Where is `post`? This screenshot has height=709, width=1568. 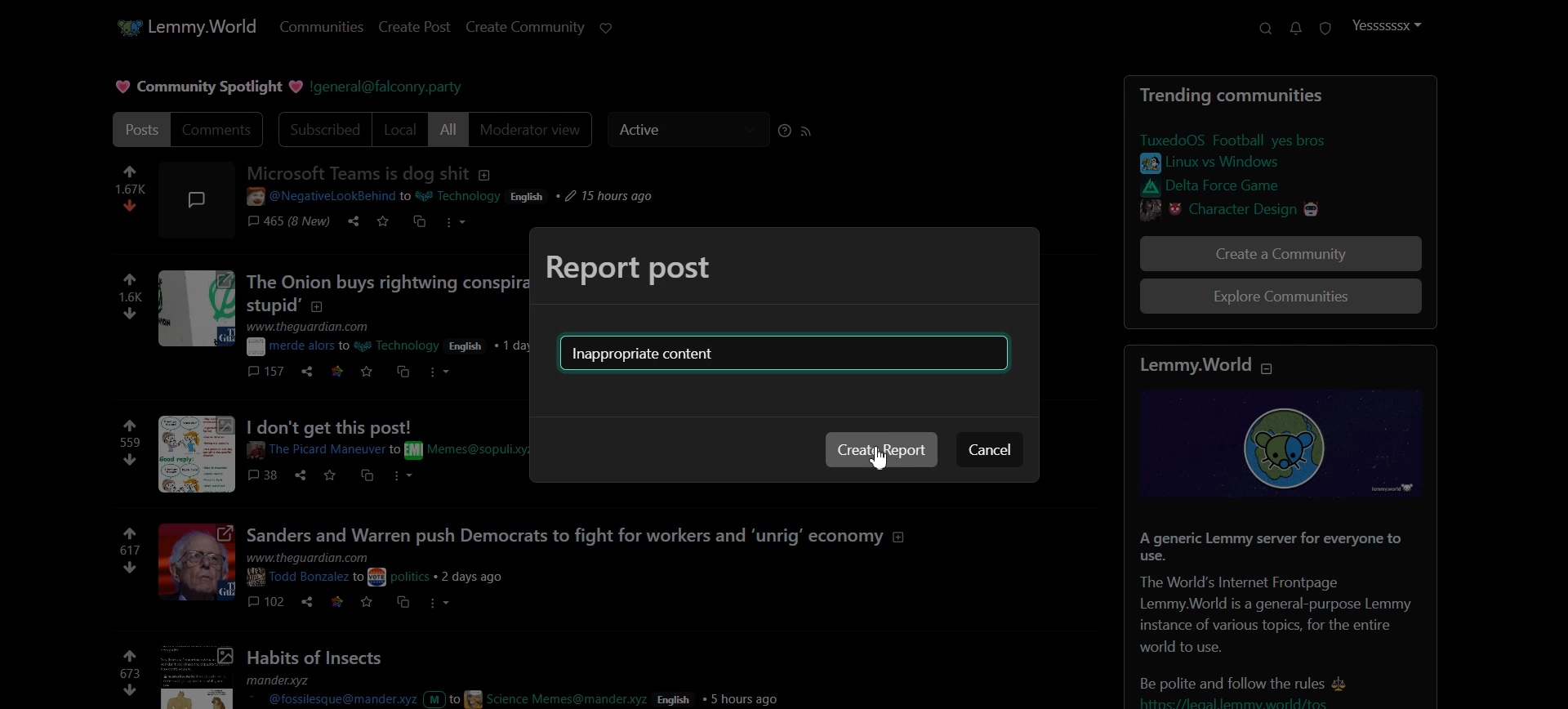
post is located at coordinates (469, 185).